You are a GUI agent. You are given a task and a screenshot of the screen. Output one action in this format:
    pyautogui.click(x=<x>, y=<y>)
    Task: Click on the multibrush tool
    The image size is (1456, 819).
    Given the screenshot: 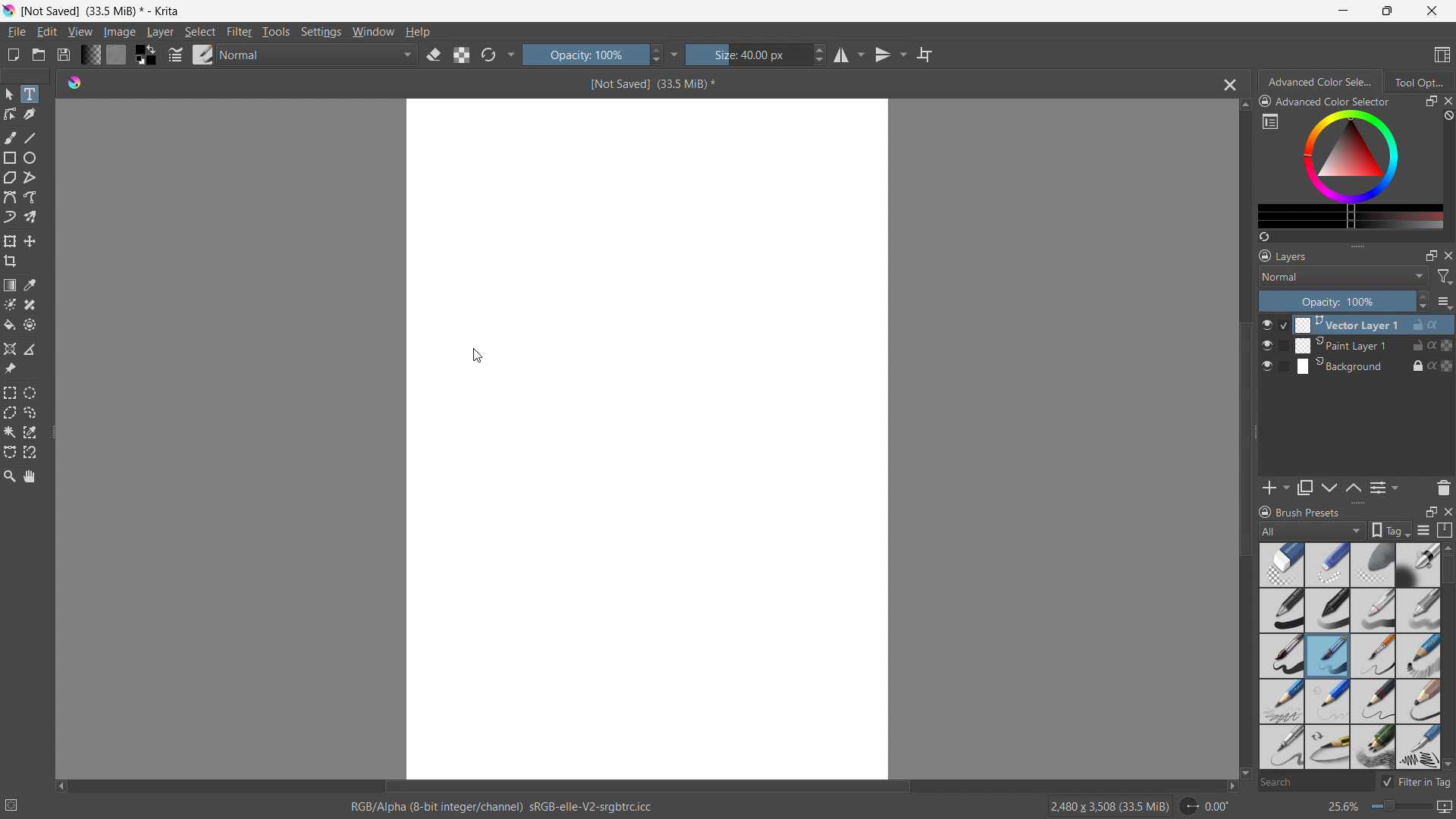 What is the action you would take?
    pyautogui.click(x=30, y=217)
    